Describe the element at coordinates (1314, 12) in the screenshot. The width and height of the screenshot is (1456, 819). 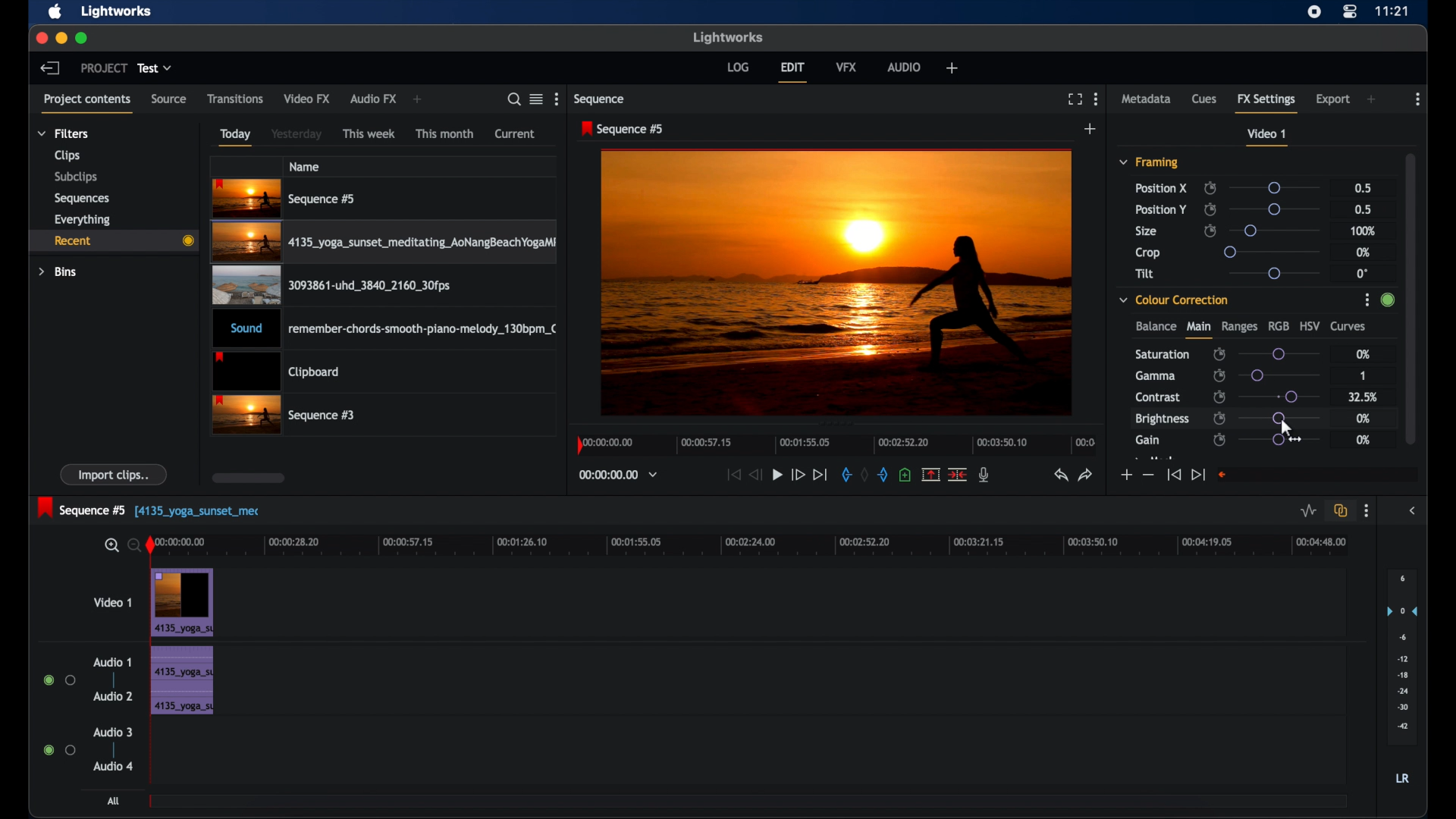
I see `screen recorder icon` at that location.